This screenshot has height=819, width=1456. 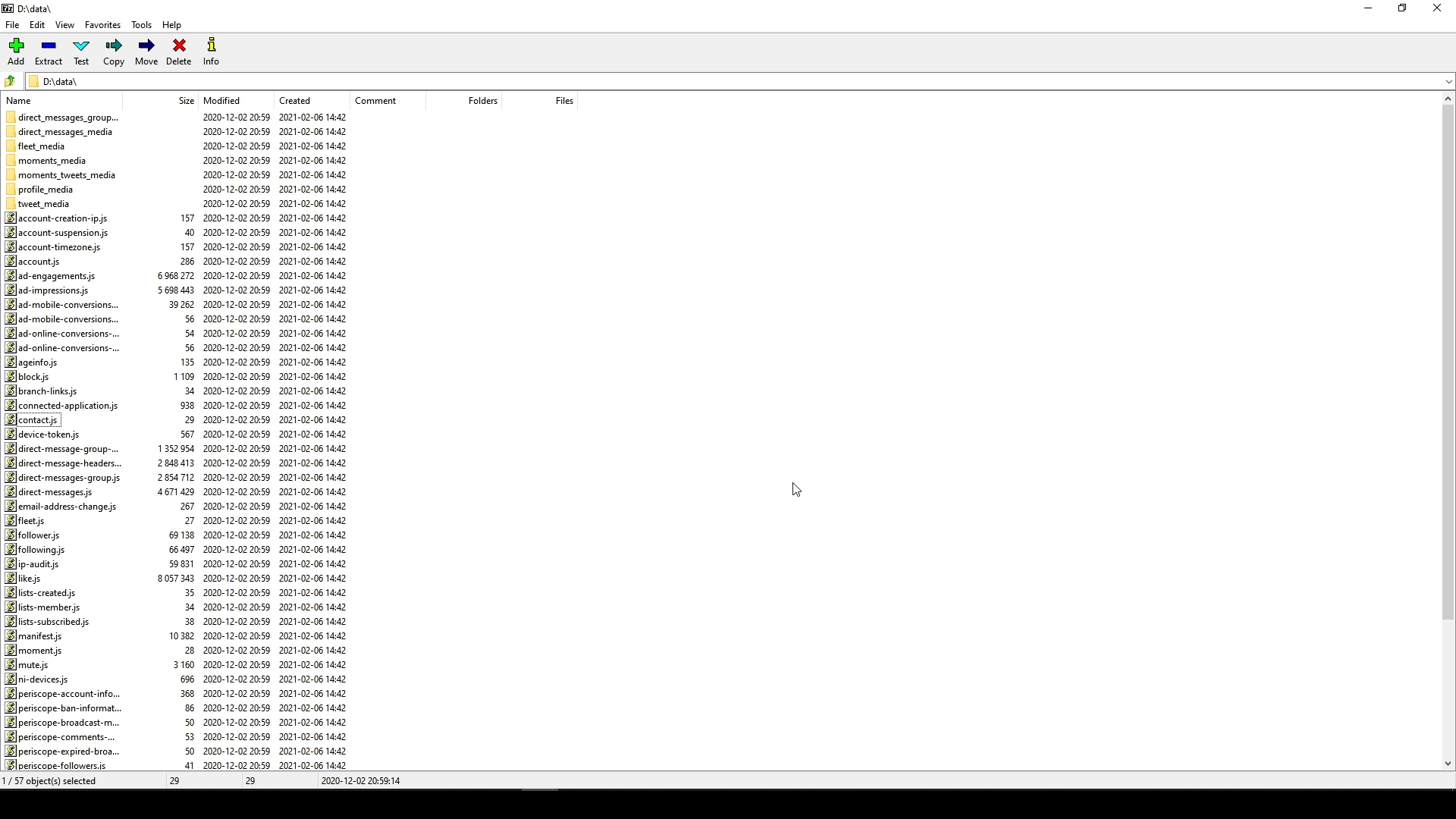 I want to click on 2020-12-02 20:59:14, so click(x=365, y=780).